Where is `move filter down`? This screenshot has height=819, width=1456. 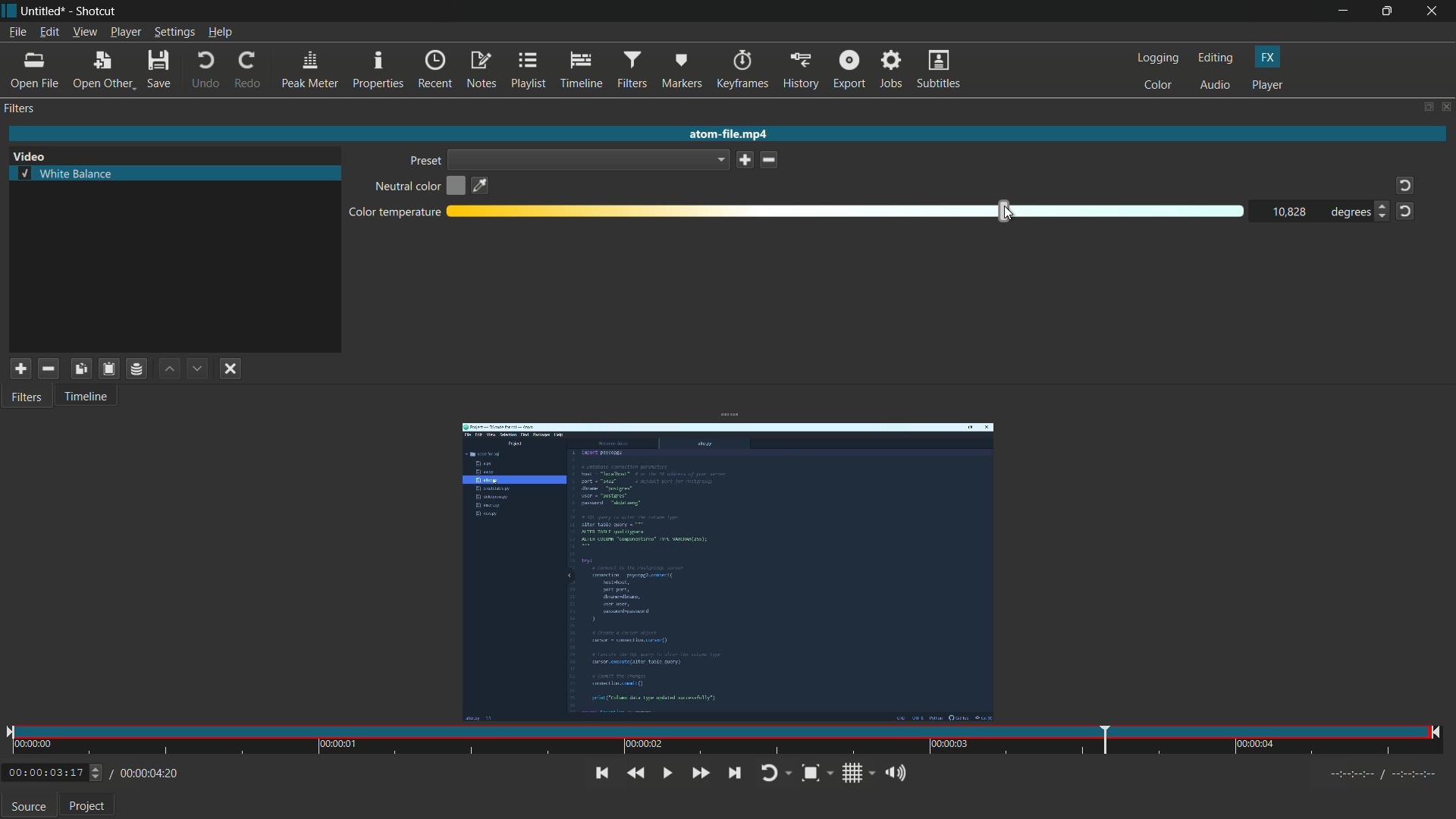
move filter down is located at coordinates (199, 369).